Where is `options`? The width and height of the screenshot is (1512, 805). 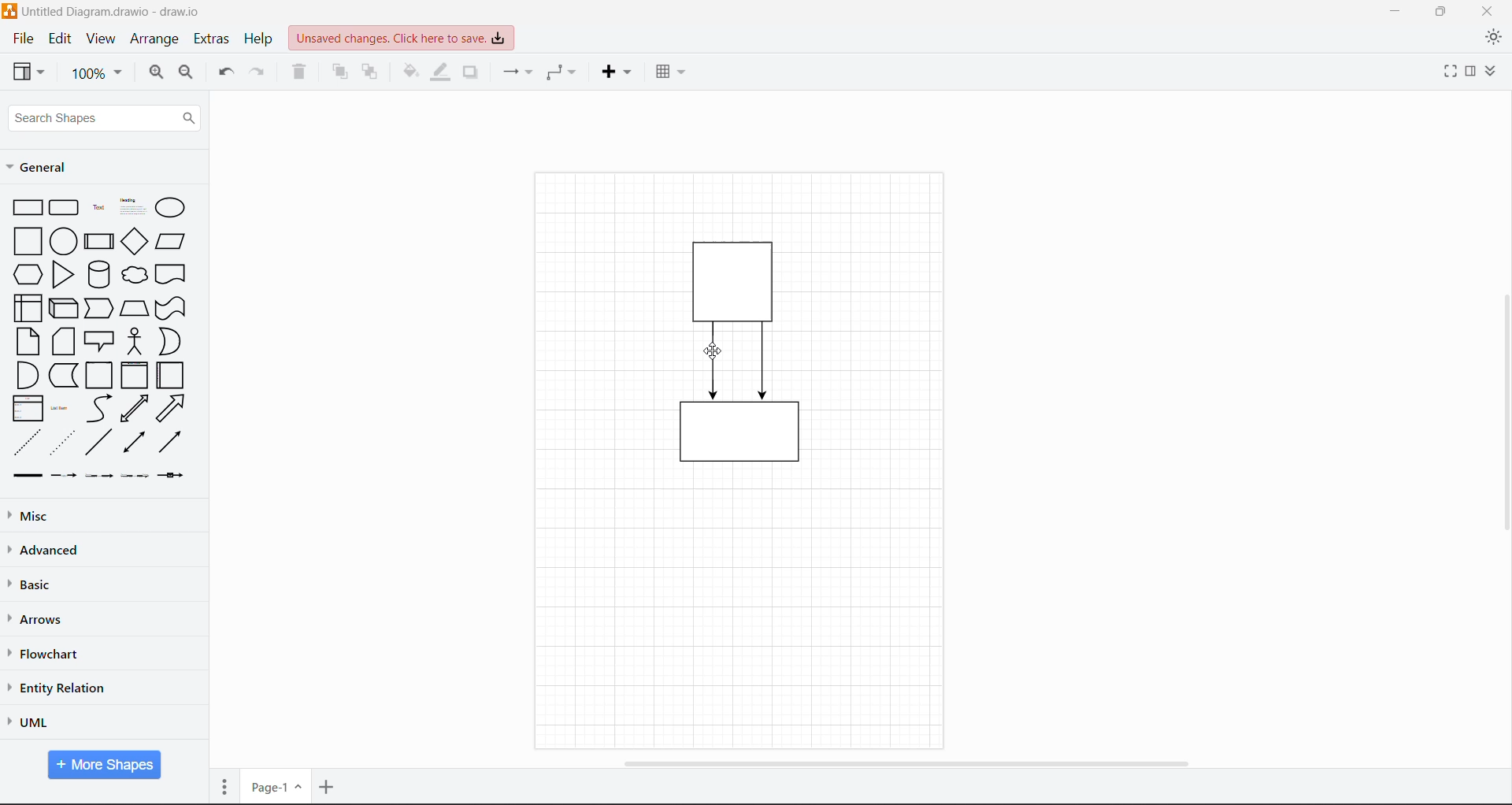 options is located at coordinates (224, 786).